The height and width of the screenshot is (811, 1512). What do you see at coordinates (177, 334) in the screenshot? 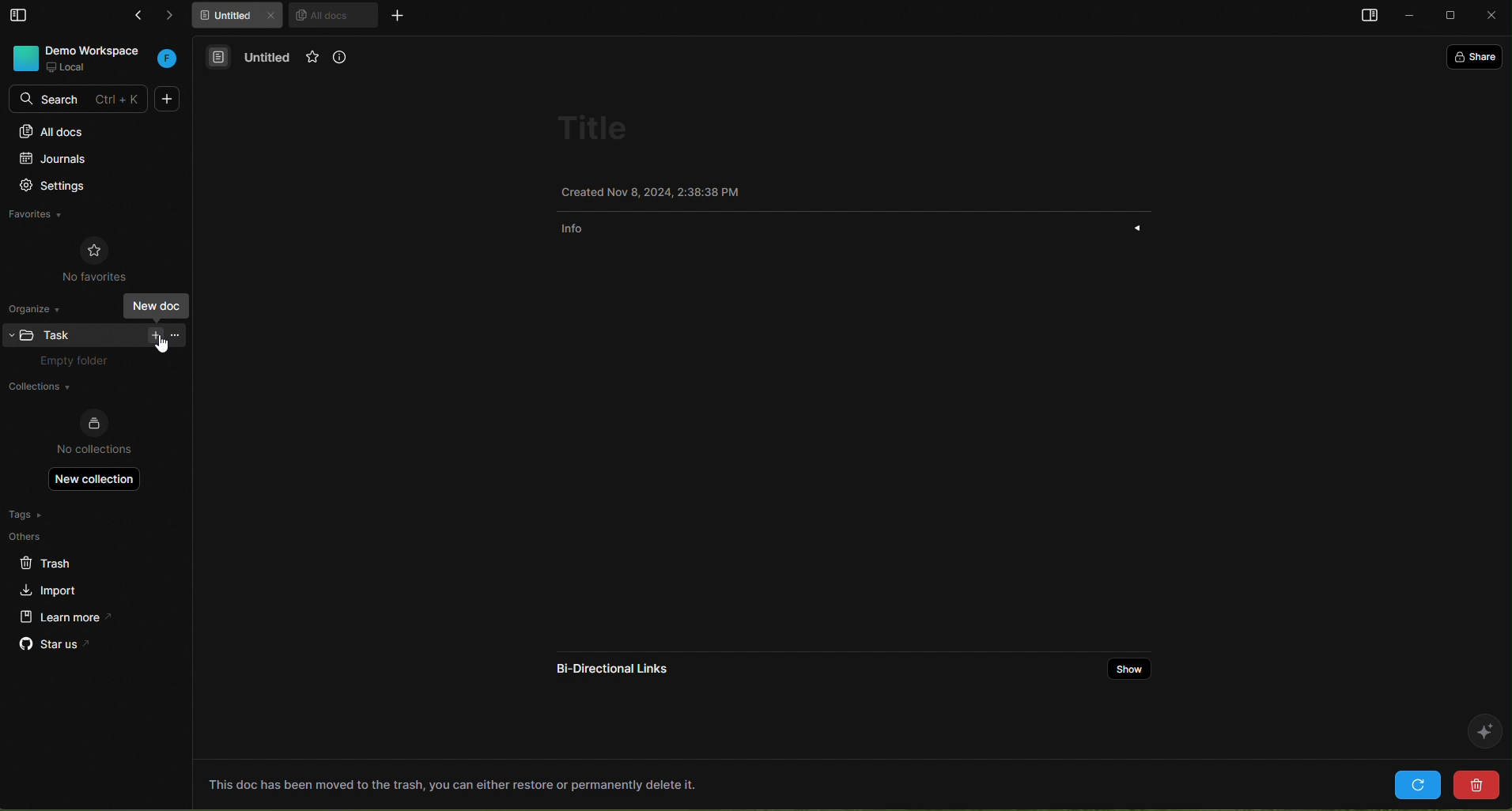
I see `doc options` at bounding box center [177, 334].